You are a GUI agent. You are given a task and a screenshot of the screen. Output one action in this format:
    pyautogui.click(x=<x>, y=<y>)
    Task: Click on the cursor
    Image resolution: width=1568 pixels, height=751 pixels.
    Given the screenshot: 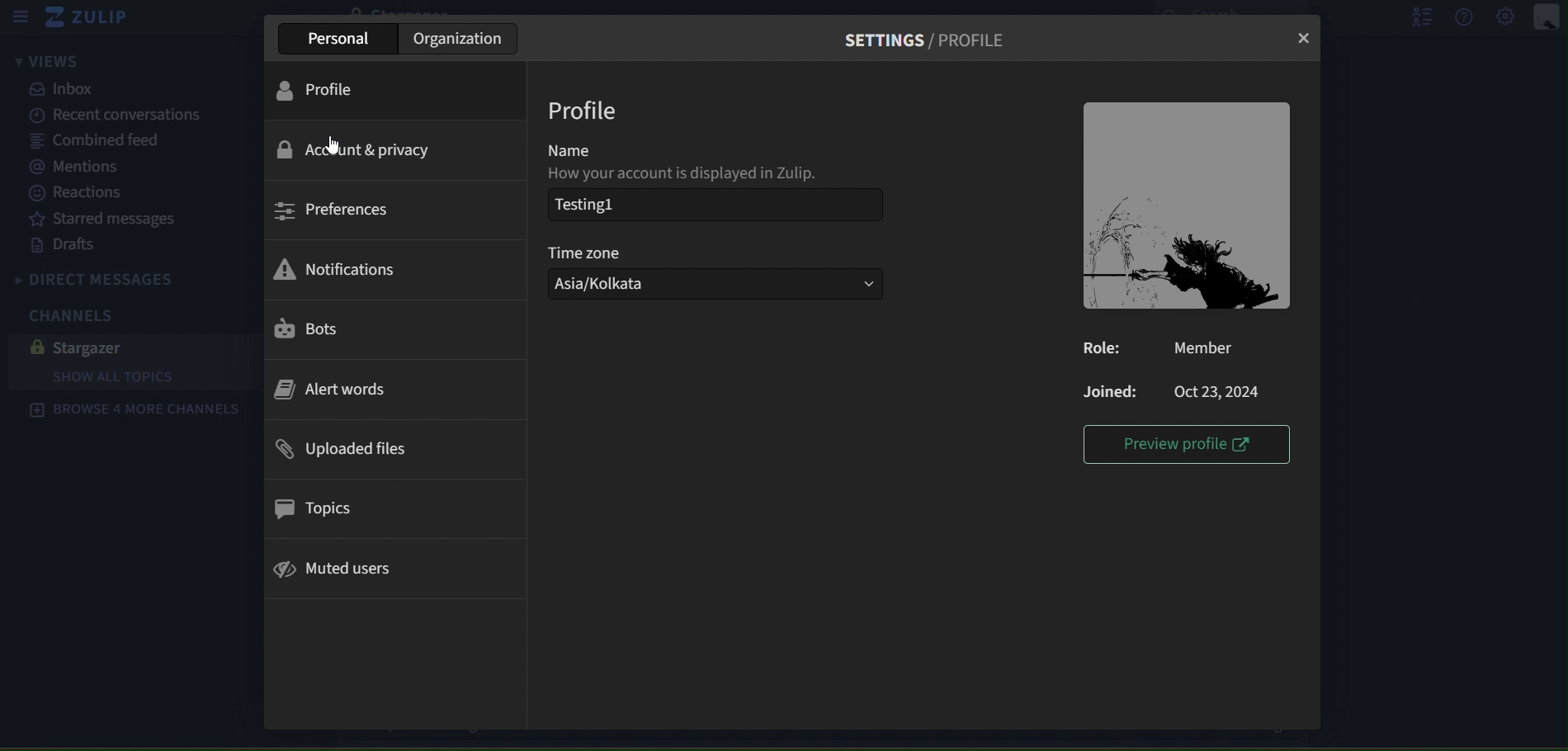 What is the action you would take?
    pyautogui.click(x=333, y=144)
    